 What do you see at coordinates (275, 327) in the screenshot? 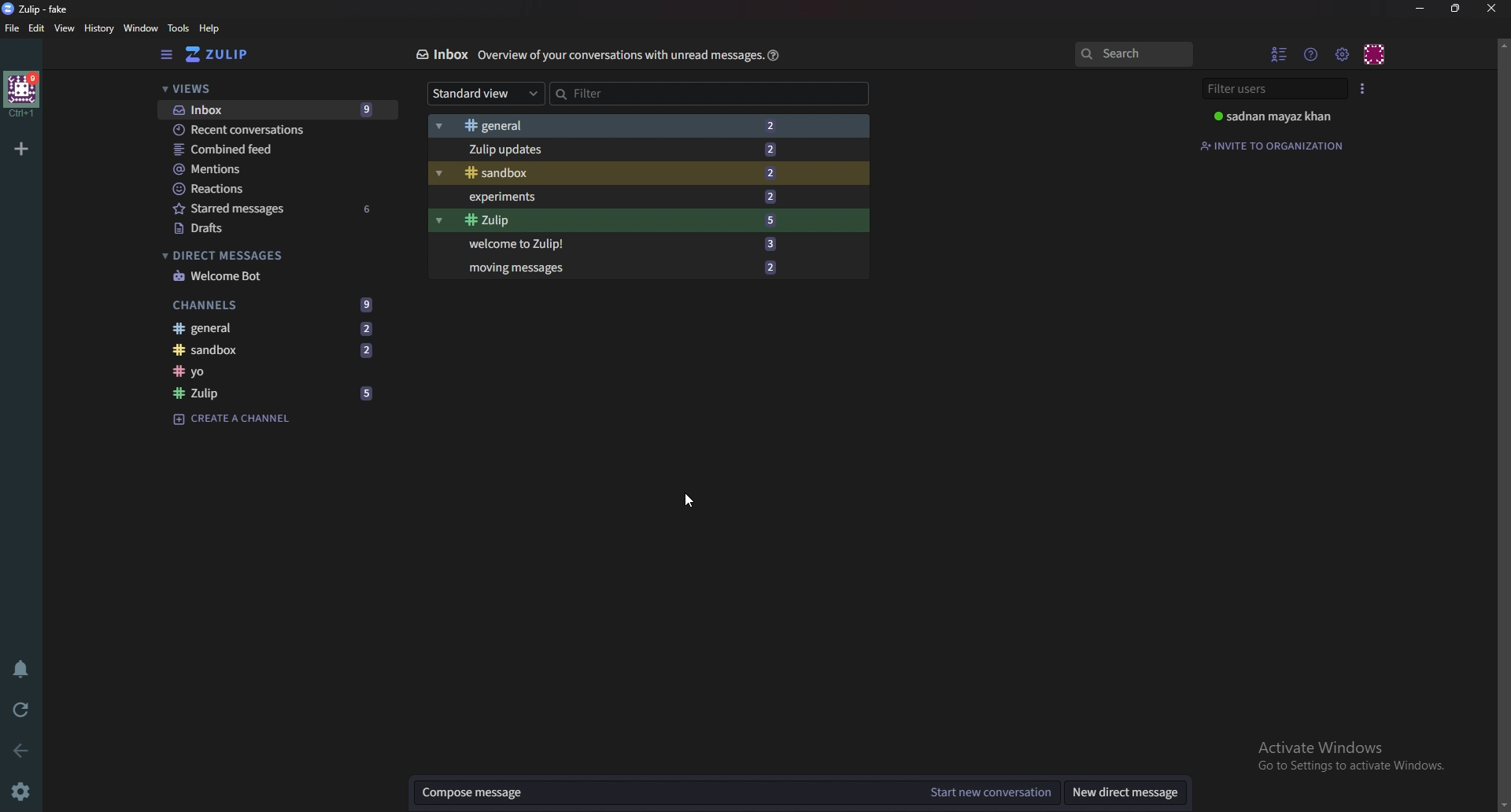
I see `General` at bounding box center [275, 327].